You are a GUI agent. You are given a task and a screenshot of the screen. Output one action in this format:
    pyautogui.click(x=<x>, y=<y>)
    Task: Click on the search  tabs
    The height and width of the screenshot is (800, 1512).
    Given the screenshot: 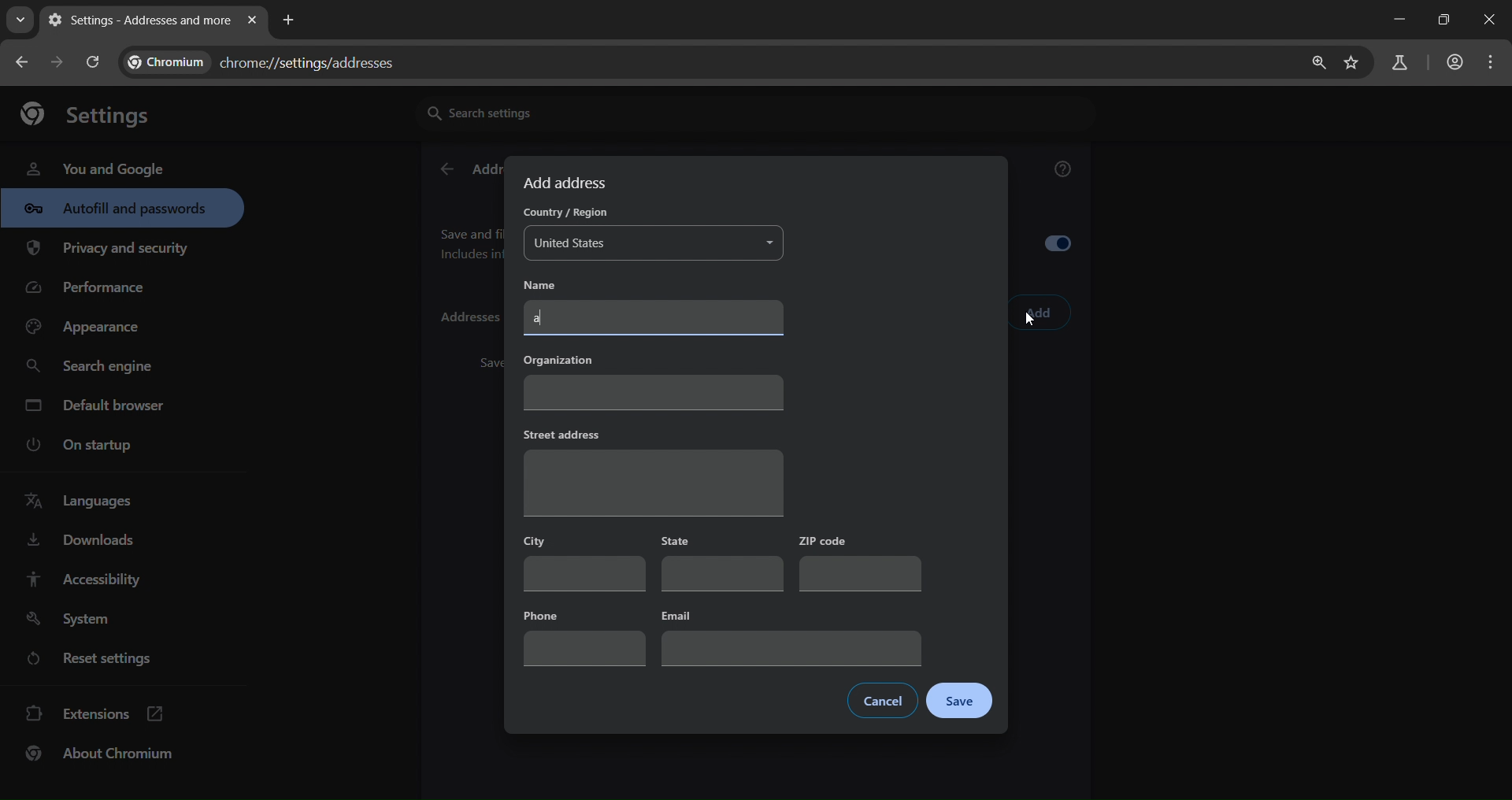 What is the action you would take?
    pyautogui.click(x=20, y=20)
    